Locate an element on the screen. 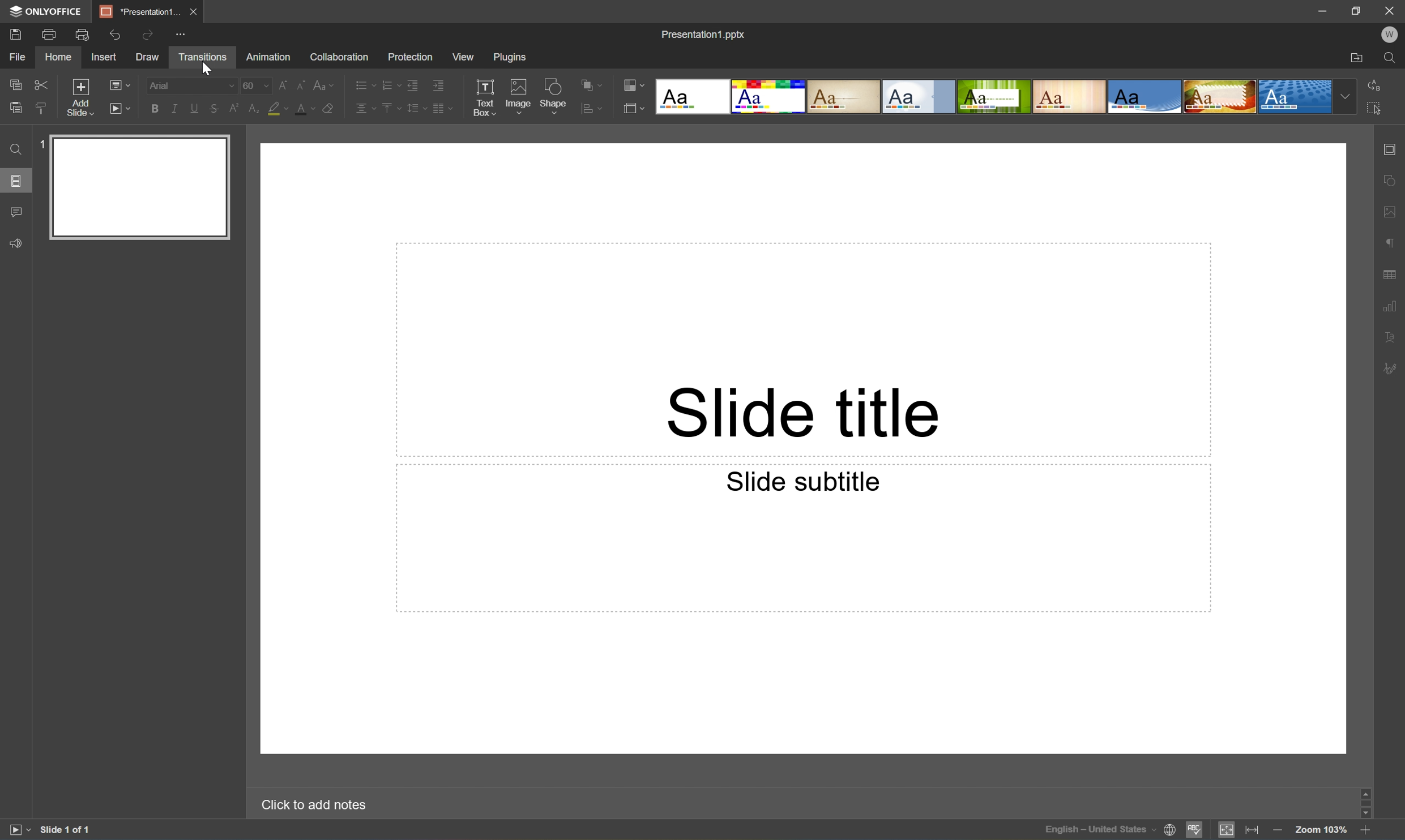 This screenshot has width=1405, height=840. Protection is located at coordinates (409, 57).